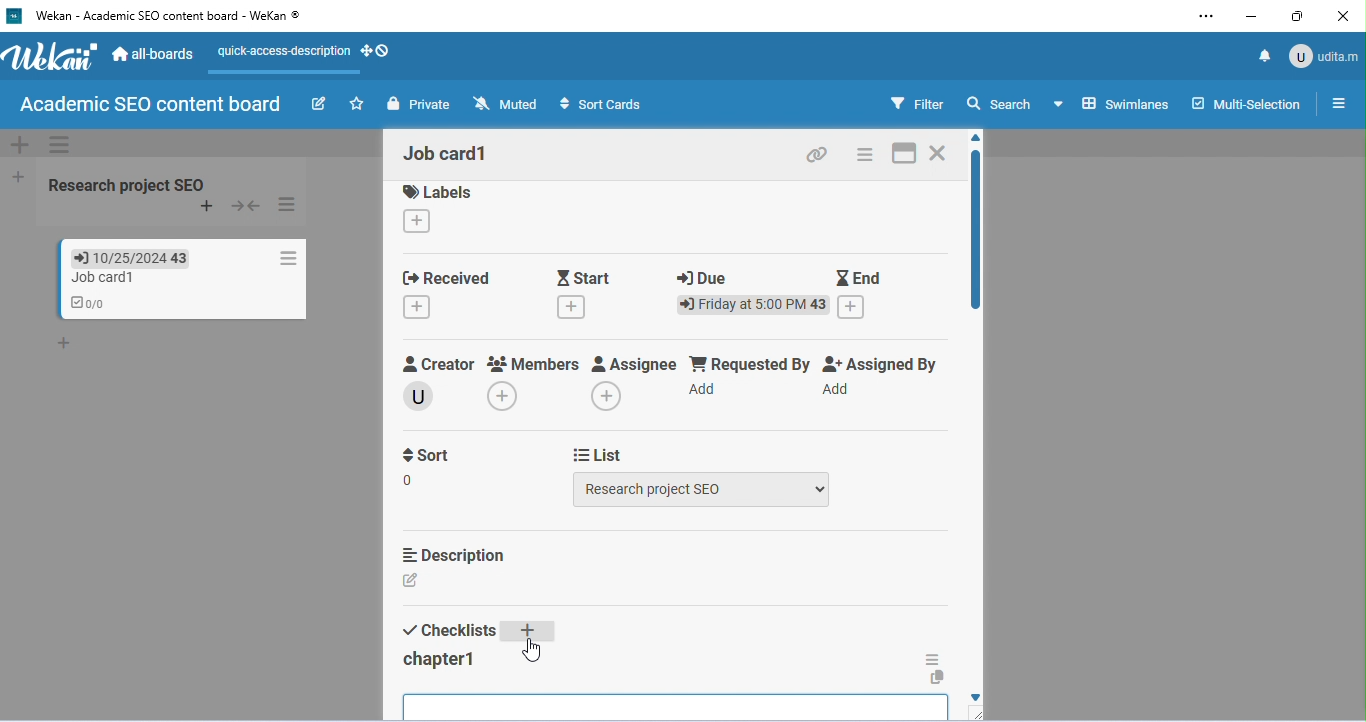  What do you see at coordinates (92, 278) in the screenshot?
I see `card name: Job card1` at bounding box center [92, 278].